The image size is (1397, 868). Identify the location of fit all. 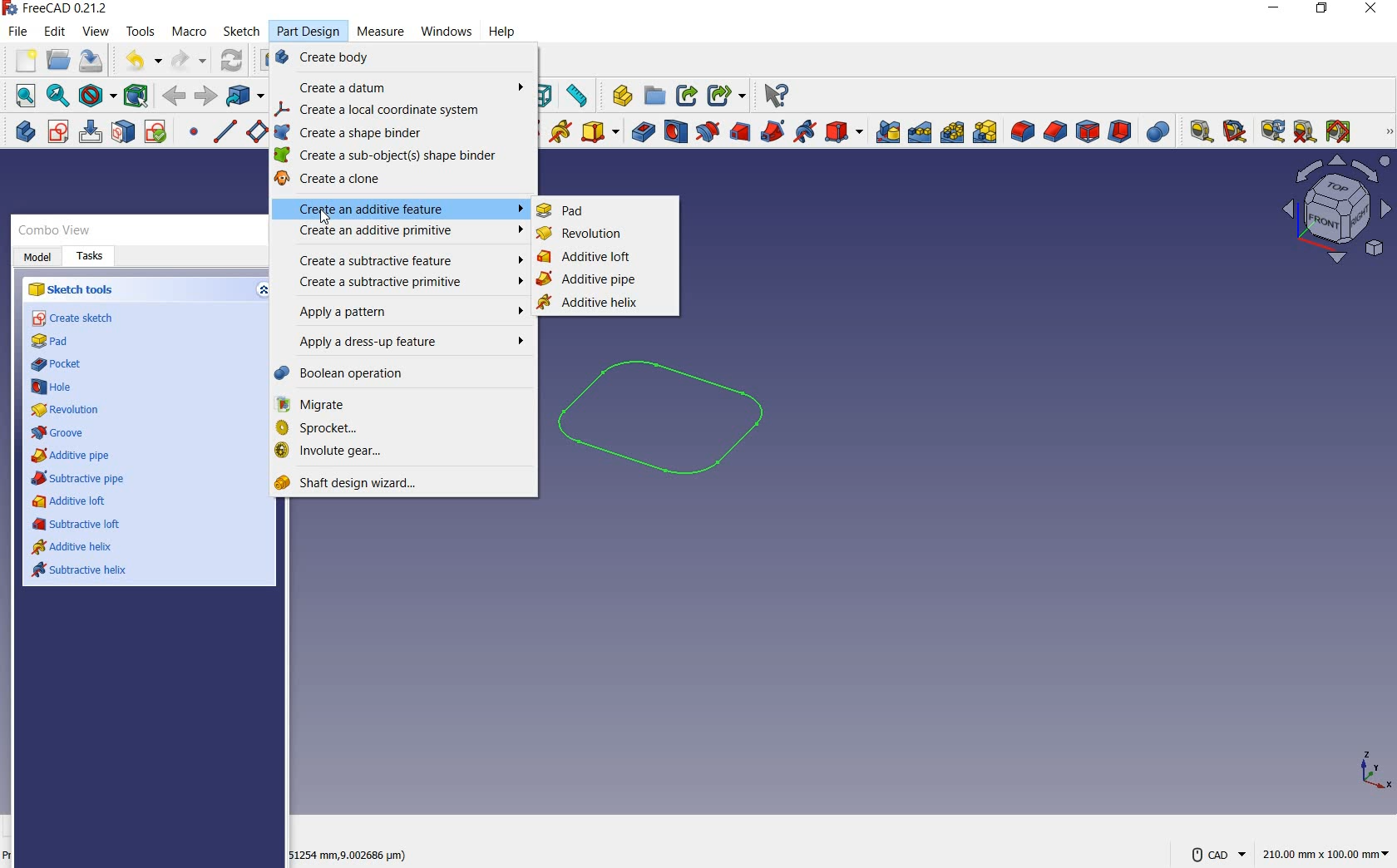
(23, 96).